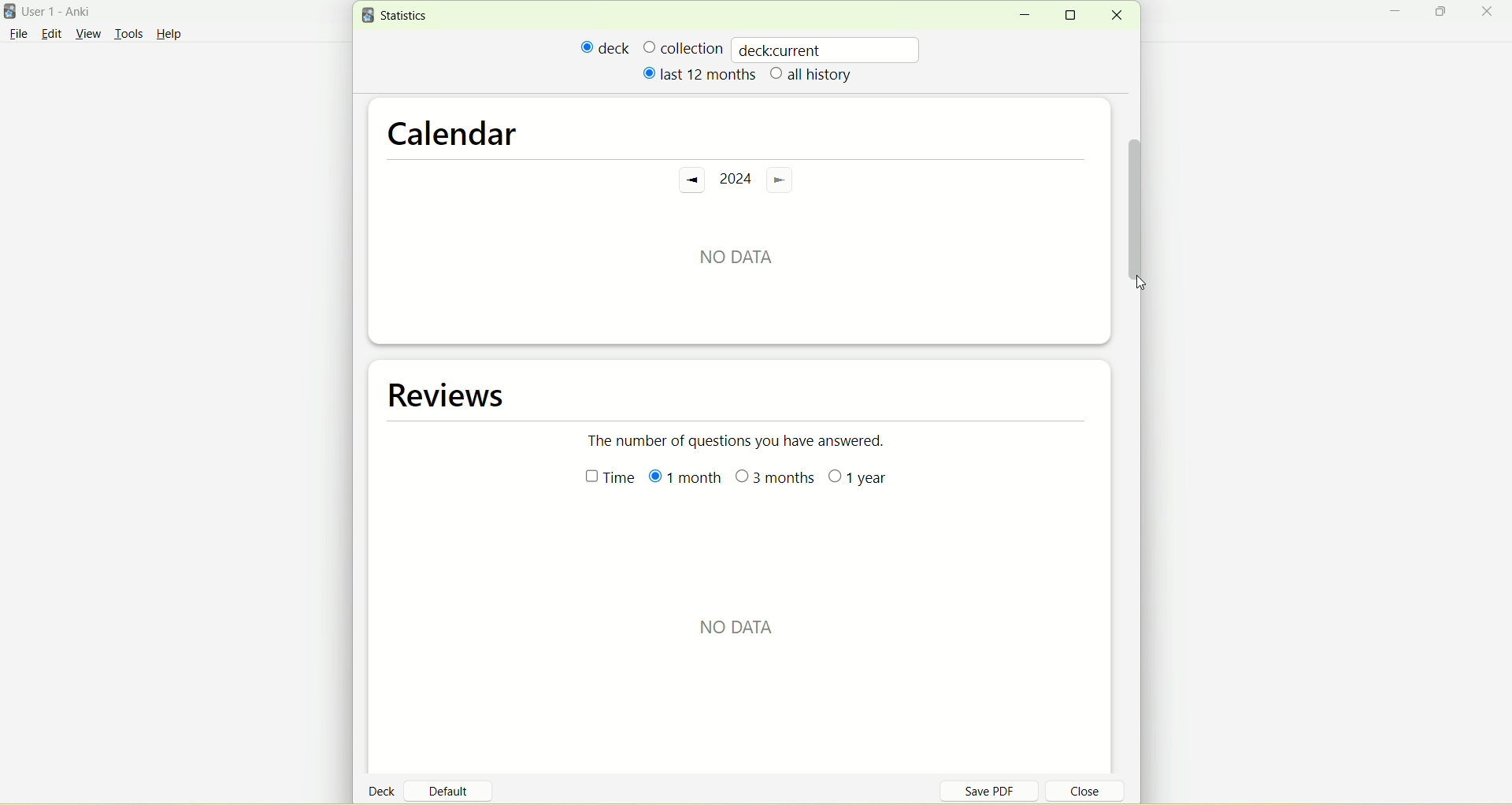 The image size is (1512, 805). I want to click on close, so click(1490, 13).